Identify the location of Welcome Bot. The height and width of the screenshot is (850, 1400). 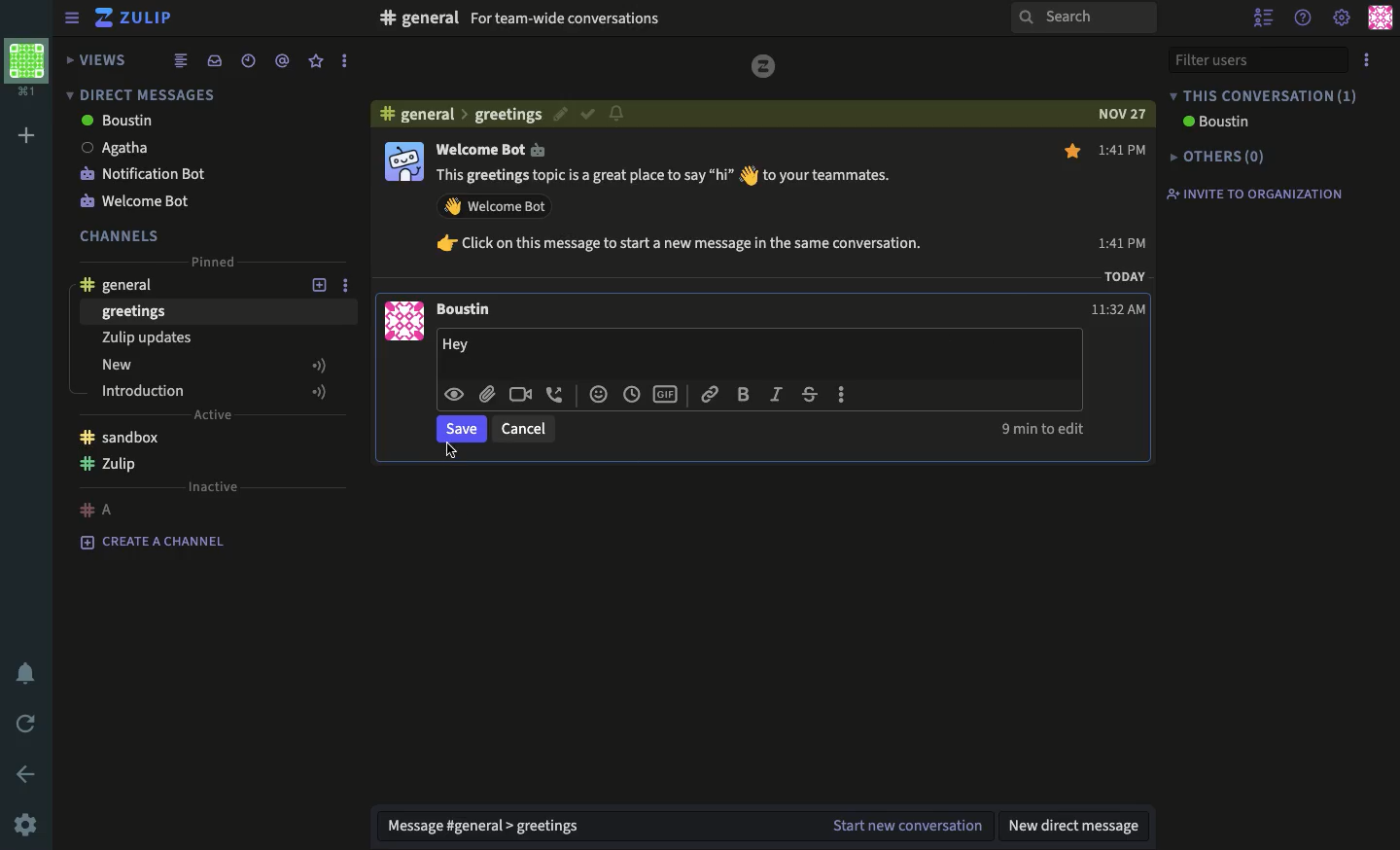
(500, 150).